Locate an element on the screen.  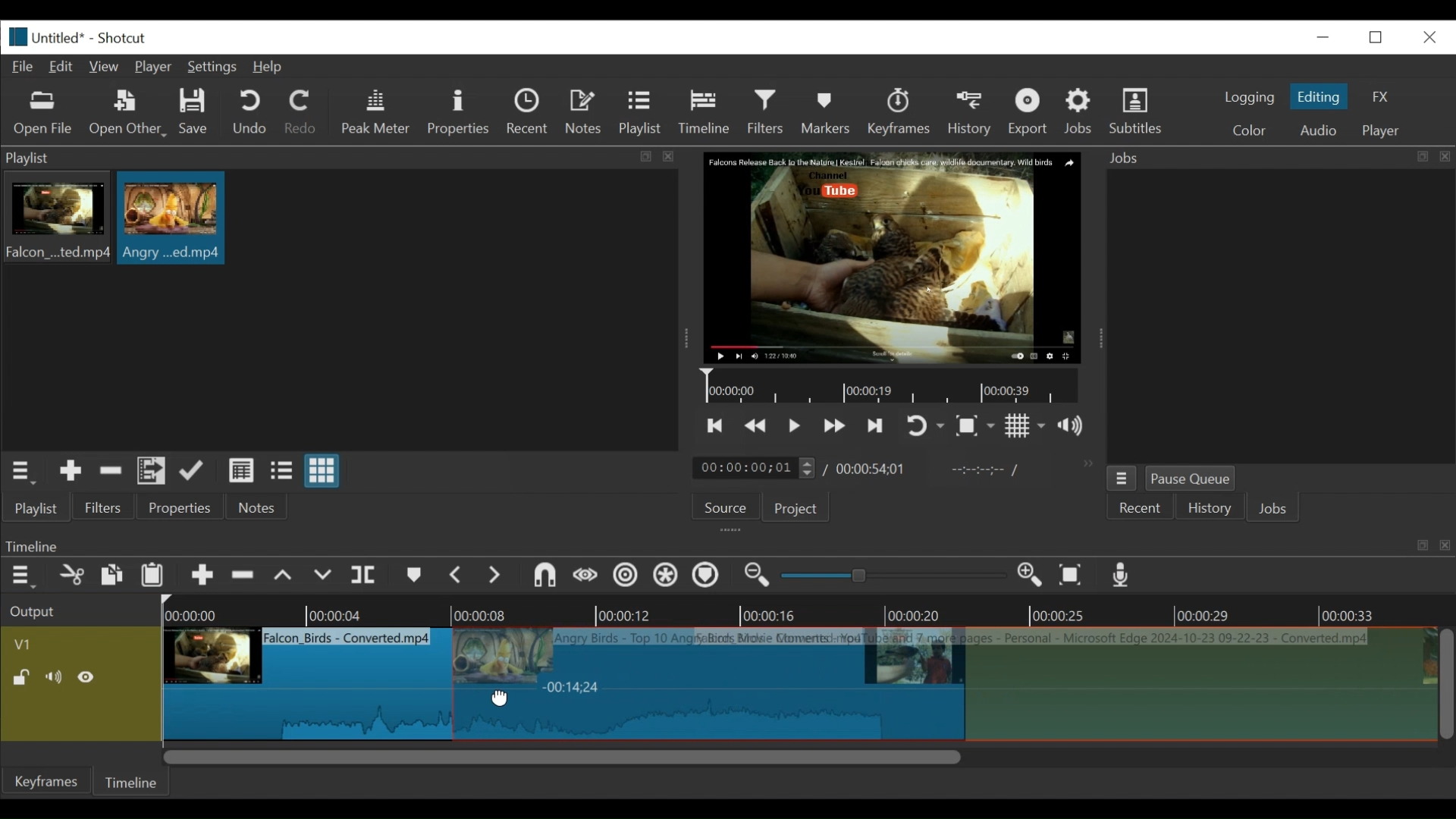
minimize is located at coordinates (1323, 36).